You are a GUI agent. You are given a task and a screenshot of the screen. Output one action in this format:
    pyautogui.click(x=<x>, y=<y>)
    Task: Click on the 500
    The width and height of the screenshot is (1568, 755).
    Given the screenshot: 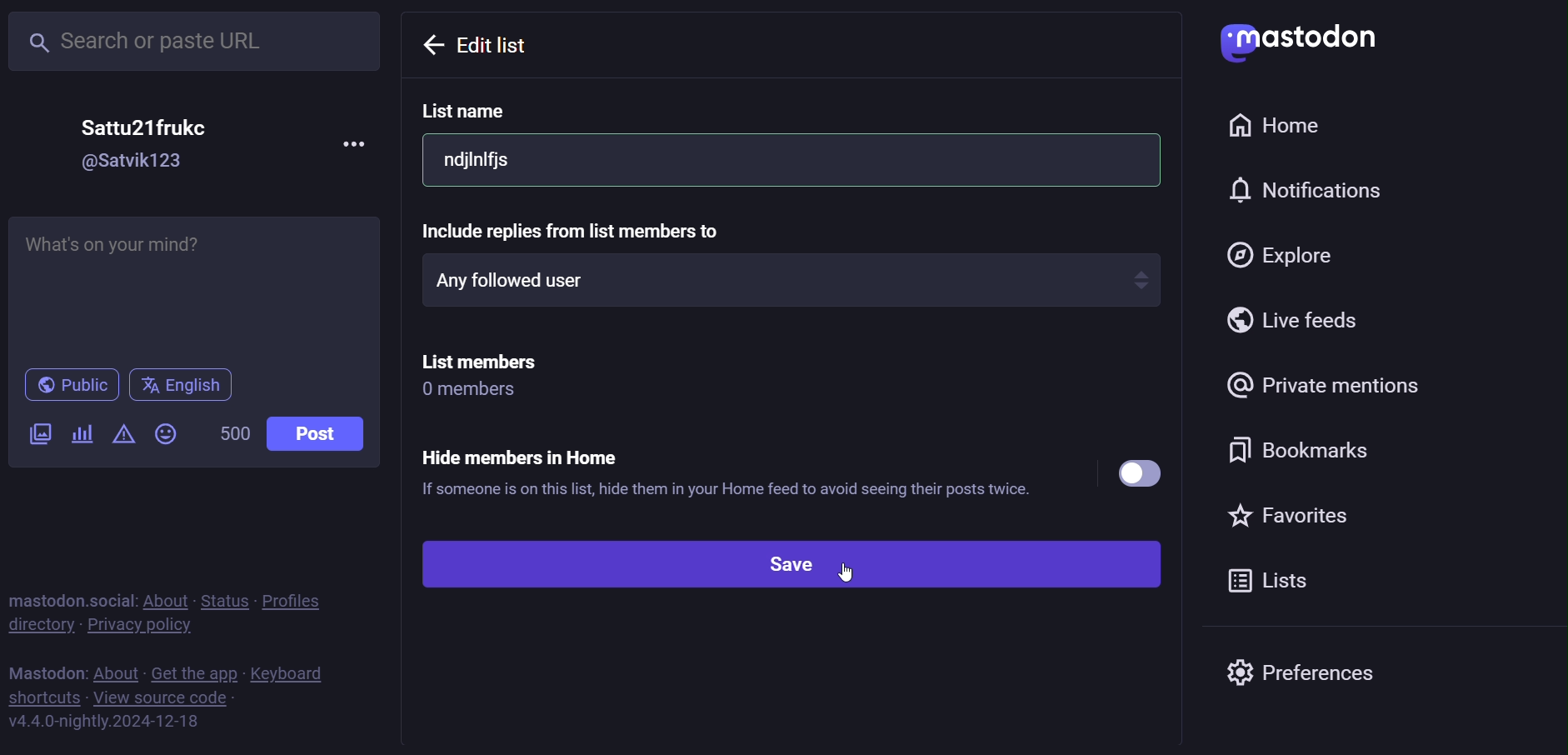 What is the action you would take?
    pyautogui.click(x=235, y=434)
    